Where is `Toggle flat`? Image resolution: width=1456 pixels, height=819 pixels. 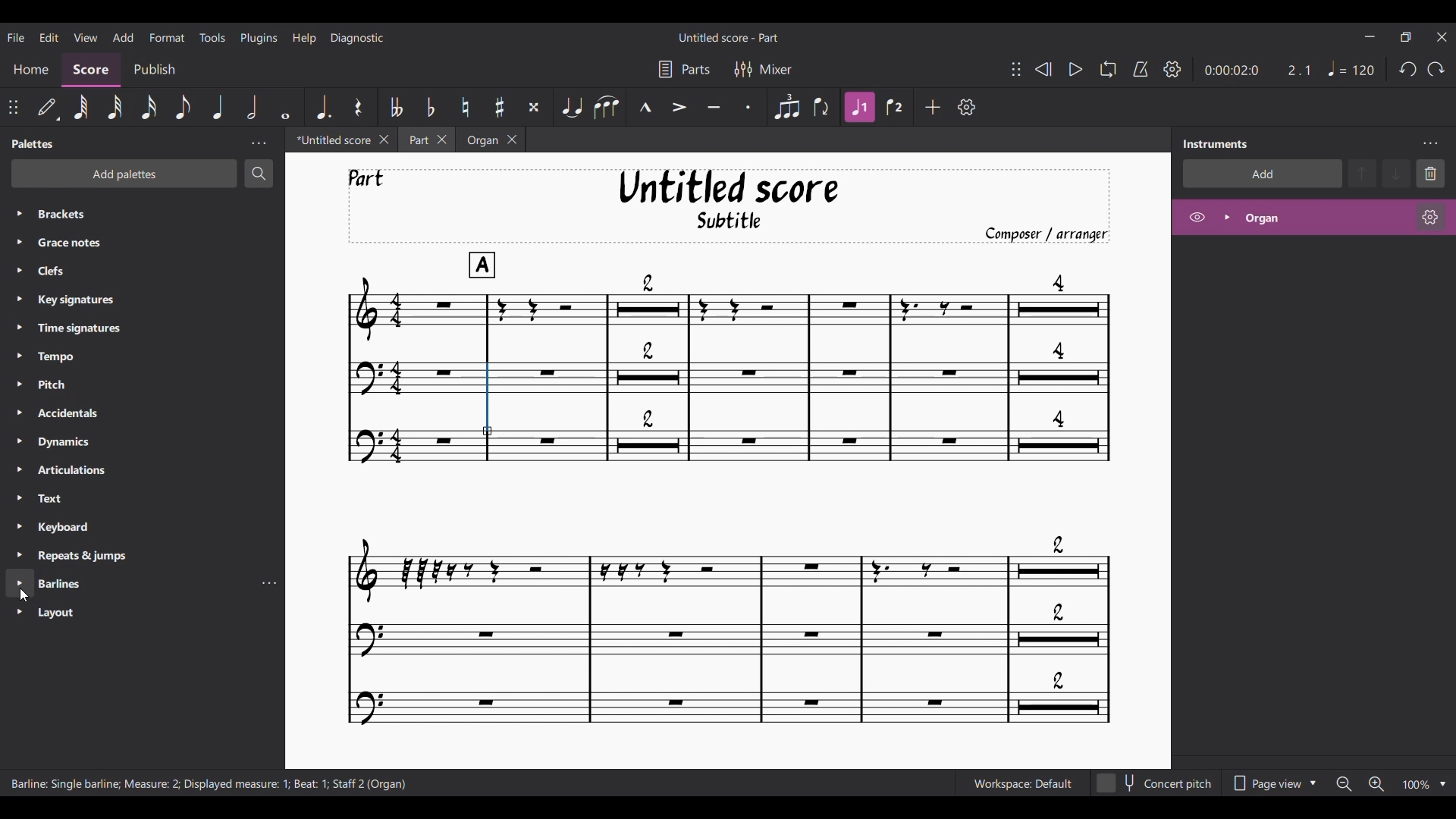
Toggle flat is located at coordinates (430, 106).